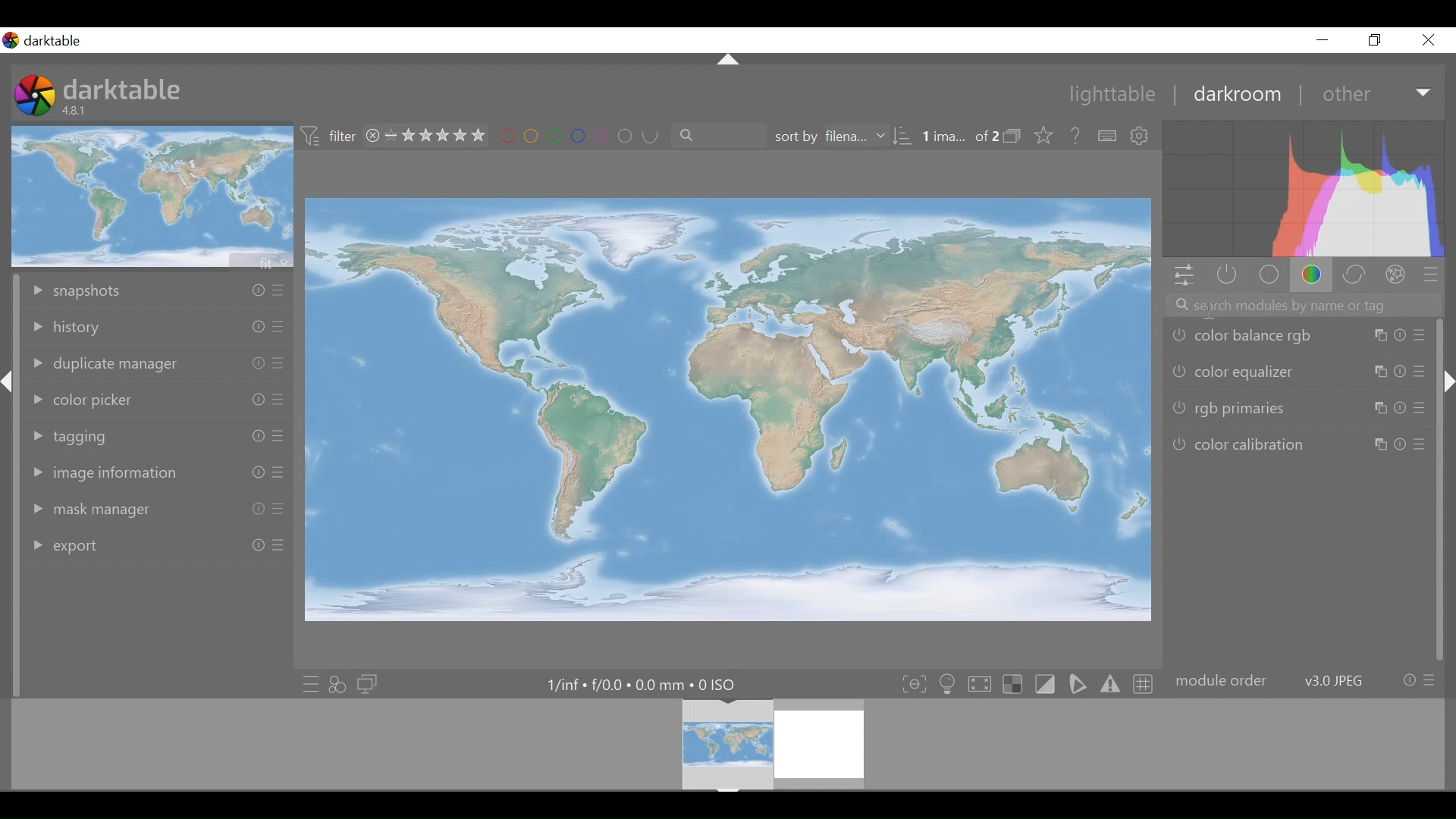  I want to click on toggle indication of raw overexposure, so click(1012, 684).